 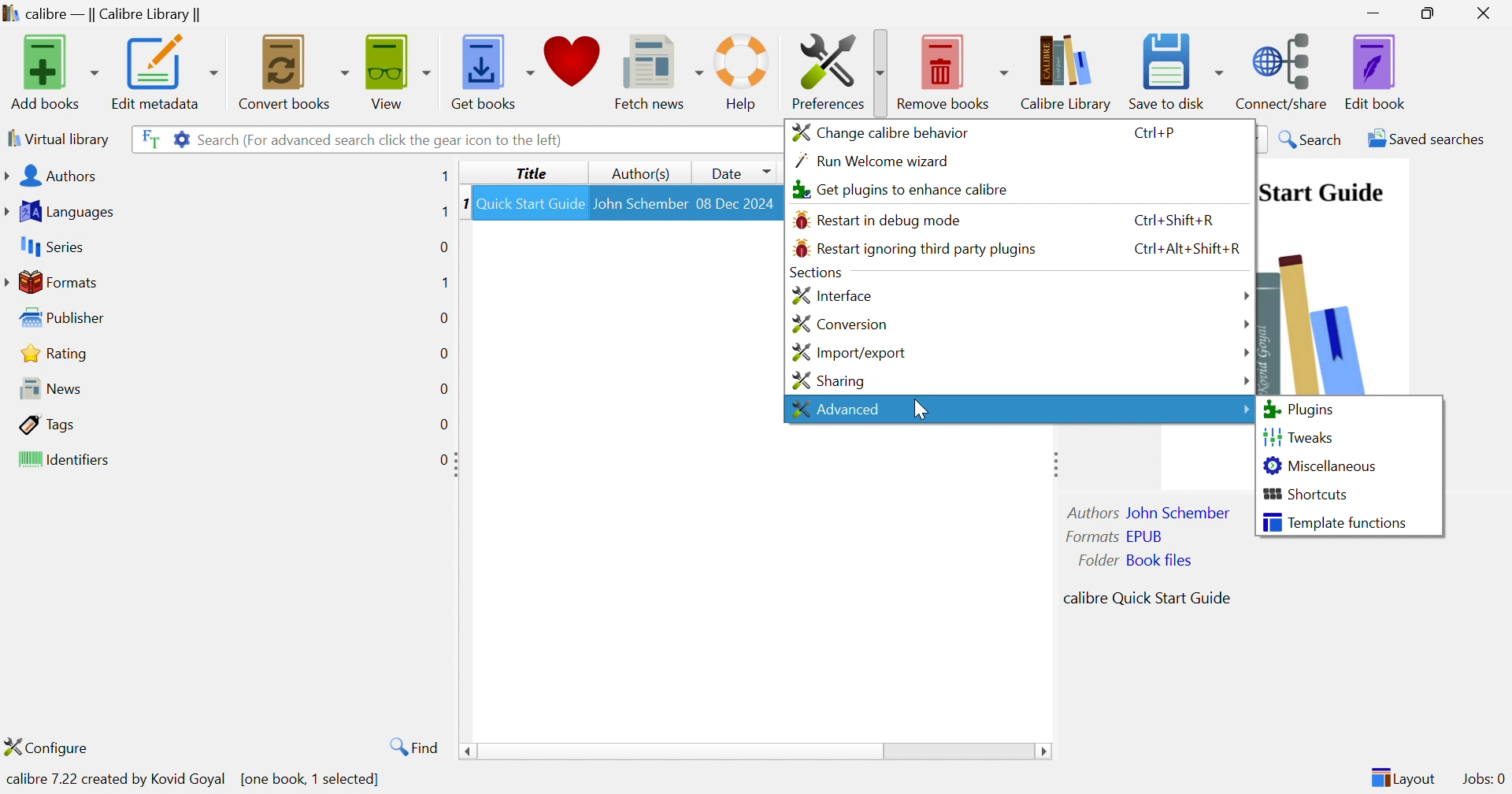 What do you see at coordinates (1246, 351) in the screenshot?
I see `Drop Down` at bounding box center [1246, 351].